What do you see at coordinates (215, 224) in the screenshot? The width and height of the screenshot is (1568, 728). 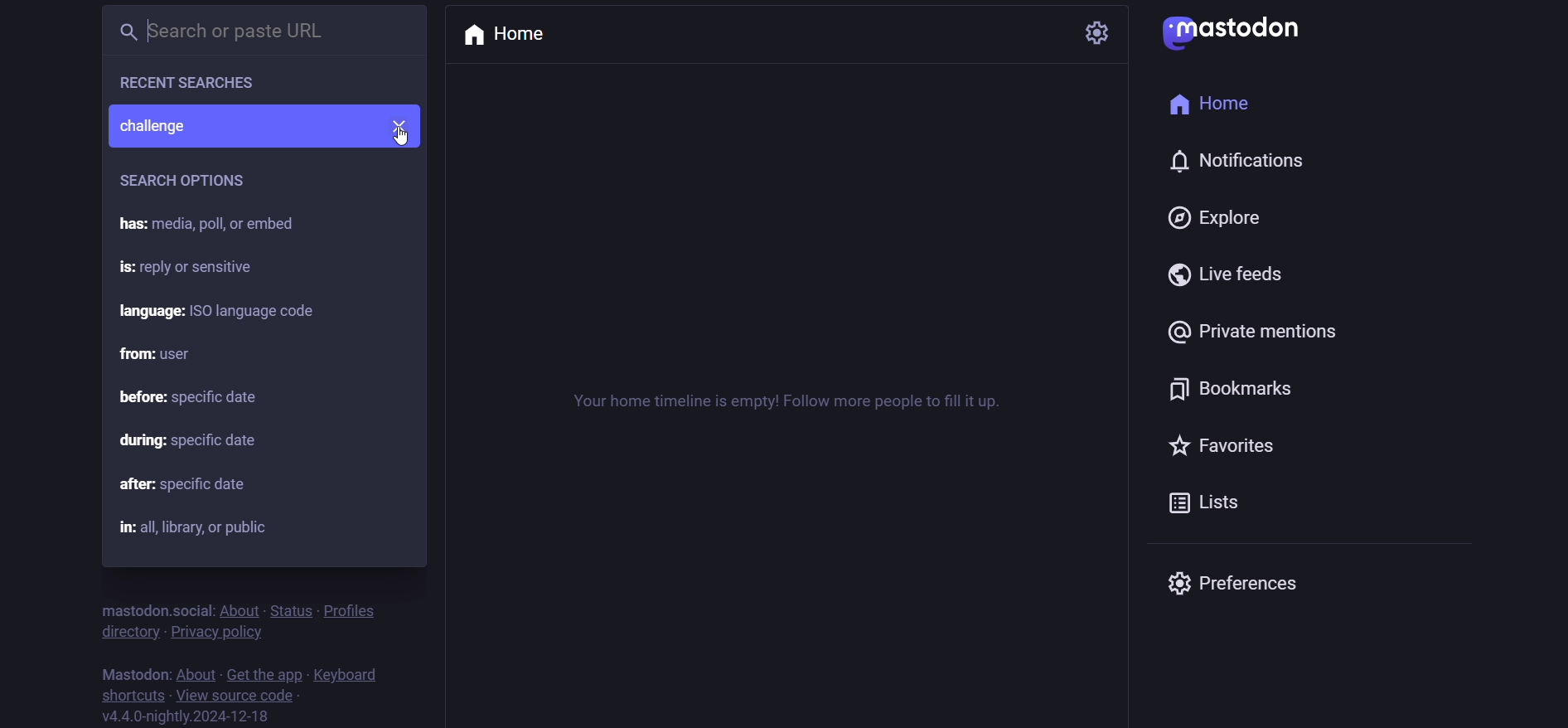 I see `has` at bounding box center [215, 224].